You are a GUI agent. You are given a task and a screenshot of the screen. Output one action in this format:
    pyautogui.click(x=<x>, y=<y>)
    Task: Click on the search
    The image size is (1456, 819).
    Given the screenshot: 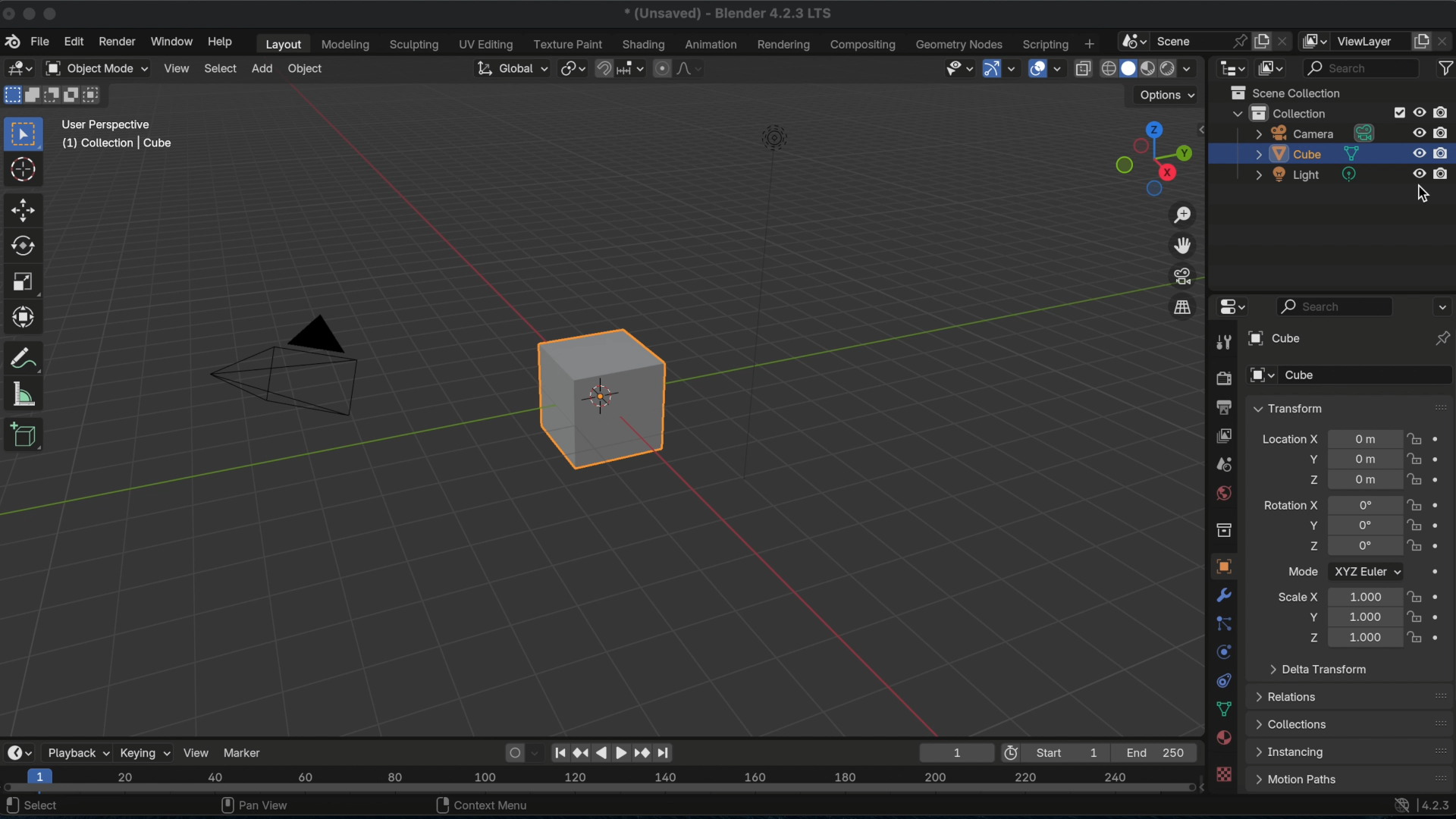 What is the action you would take?
    pyautogui.click(x=1336, y=306)
    